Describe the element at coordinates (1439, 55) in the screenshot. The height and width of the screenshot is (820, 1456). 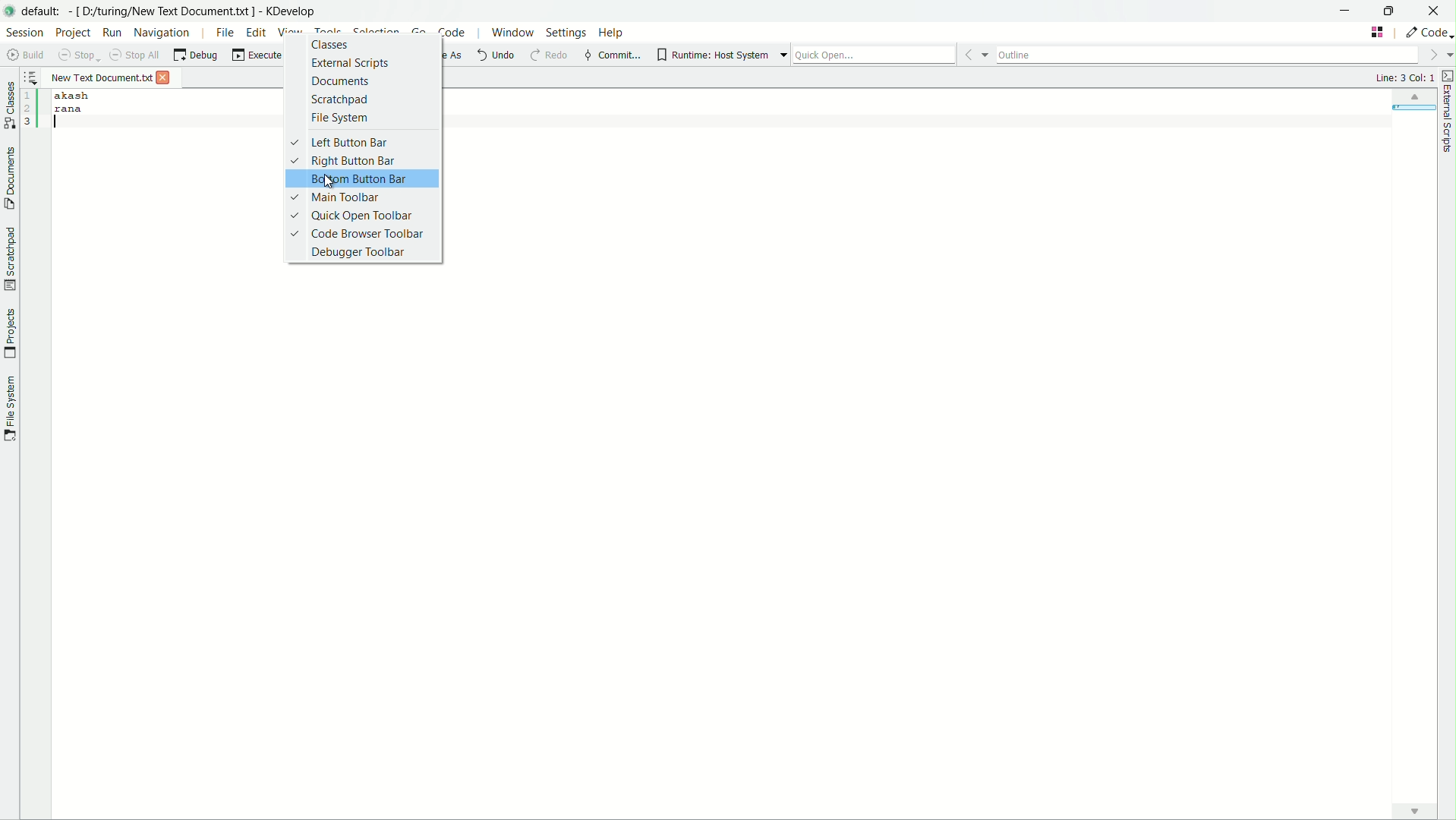
I see `more options` at that location.